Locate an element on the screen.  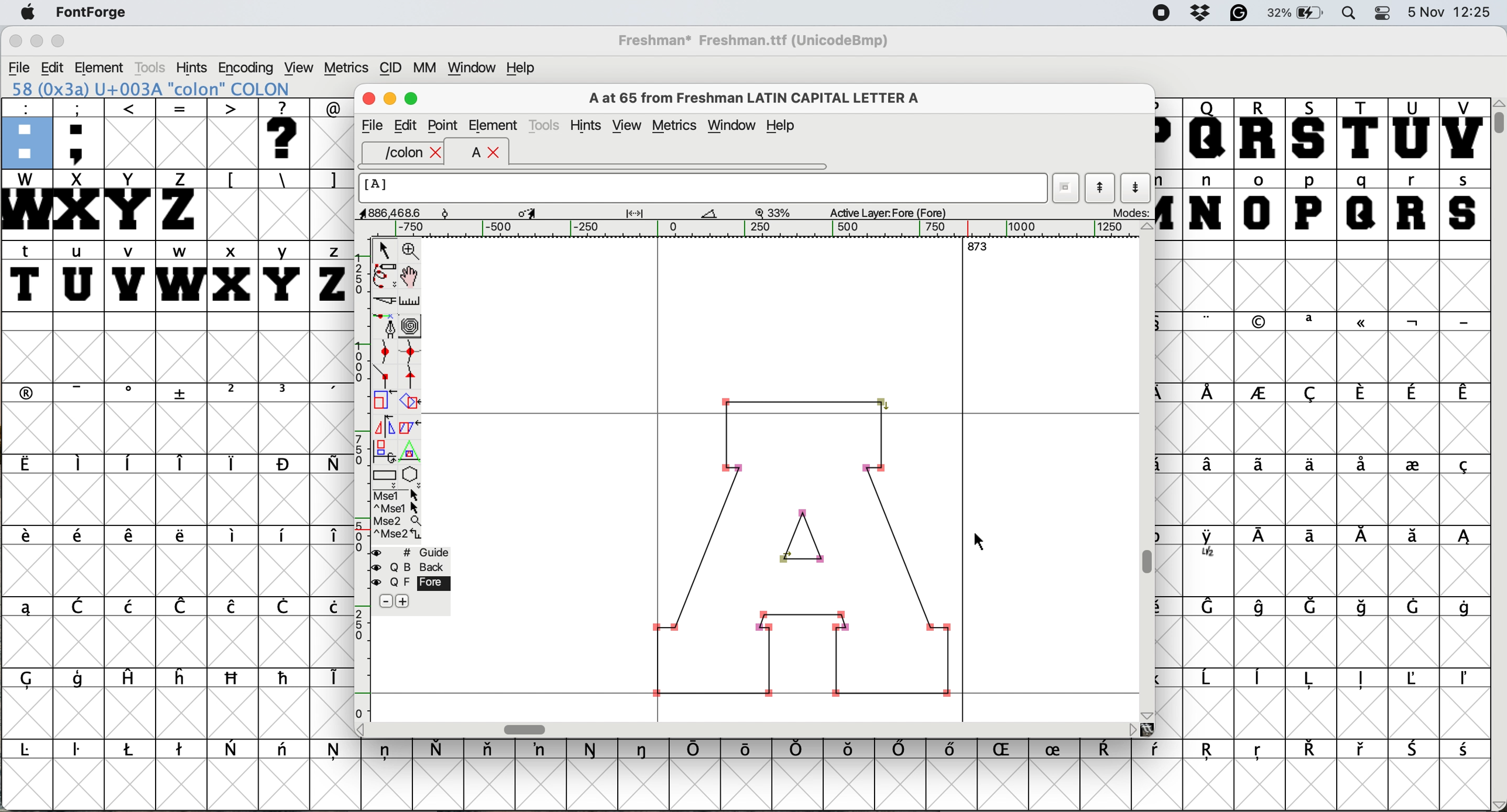
symbol is located at coordinates (81, 606).